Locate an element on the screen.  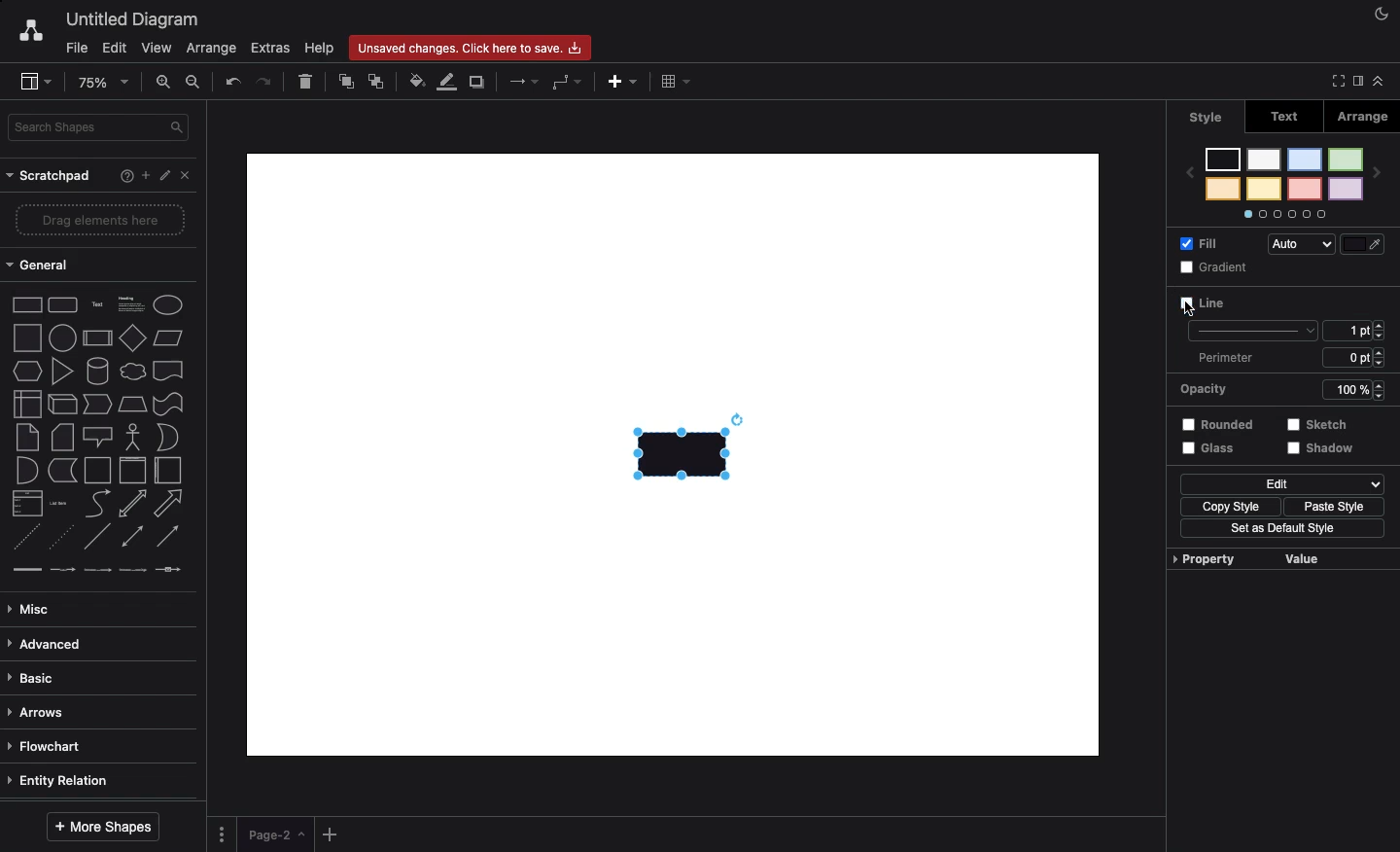
Line is located at coordinates (1209, 307).